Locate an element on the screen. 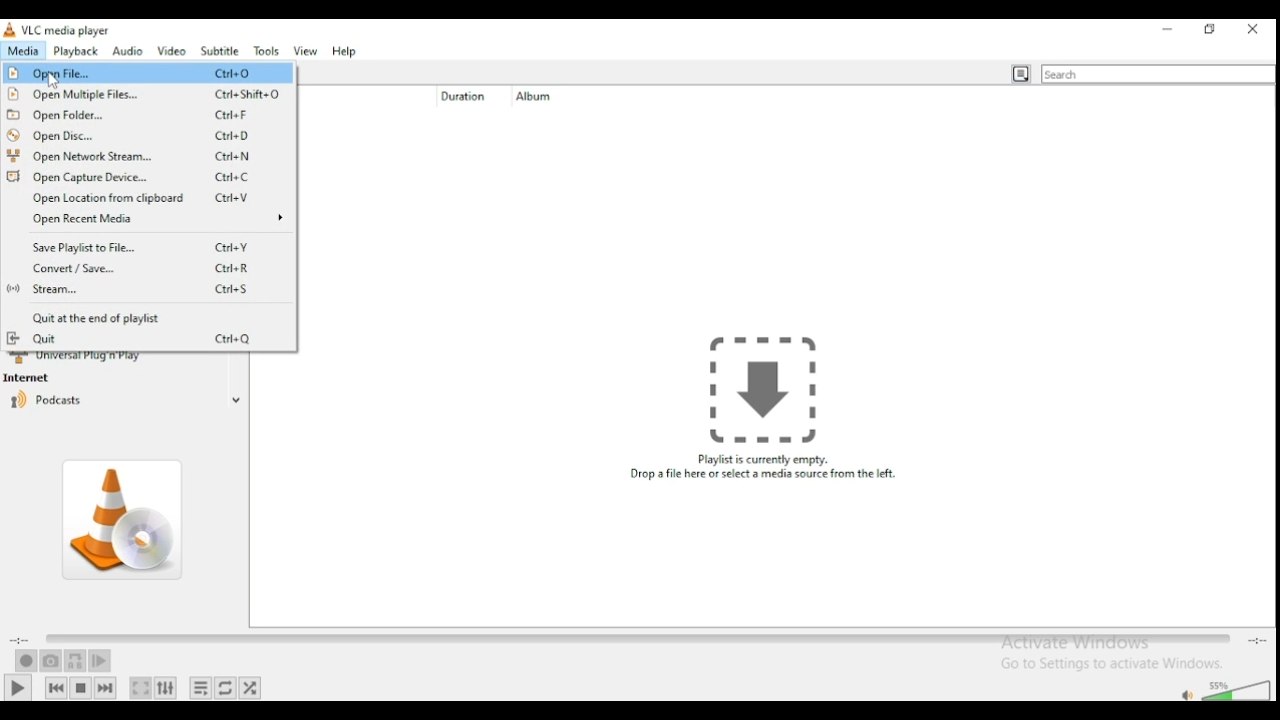 The image size is (1280, 720). toggle video in fullscreen is located at coordinates (140, 689).